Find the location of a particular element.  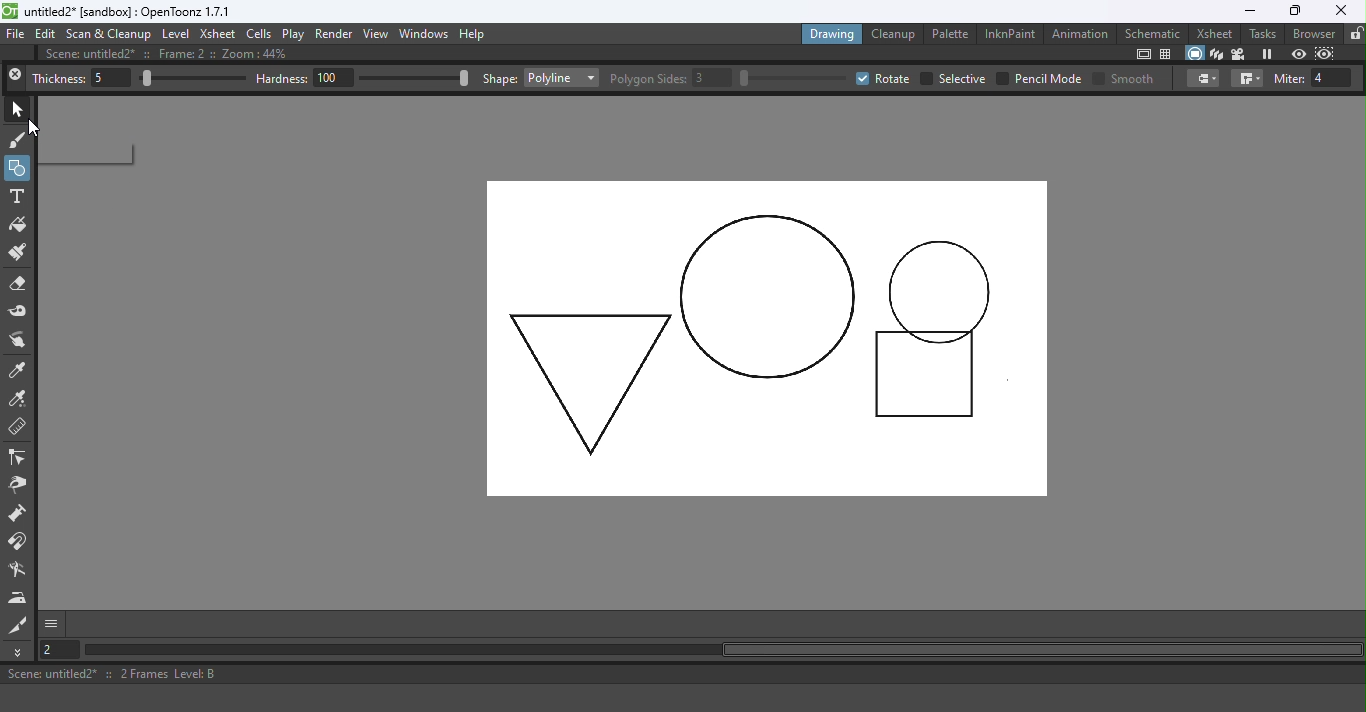

File is located at coordinates (16, 35).